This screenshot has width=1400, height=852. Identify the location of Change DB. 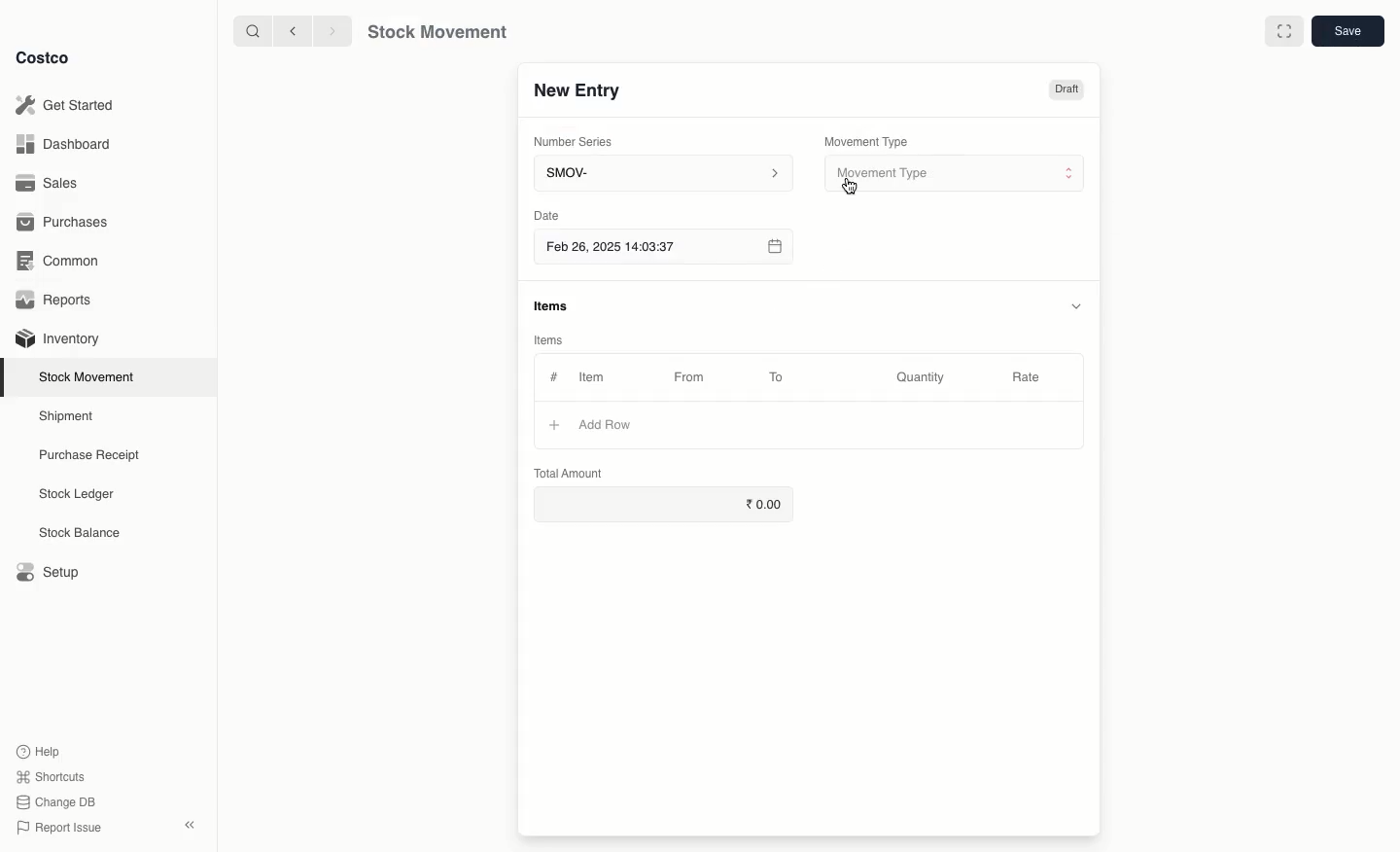
(56, 802).